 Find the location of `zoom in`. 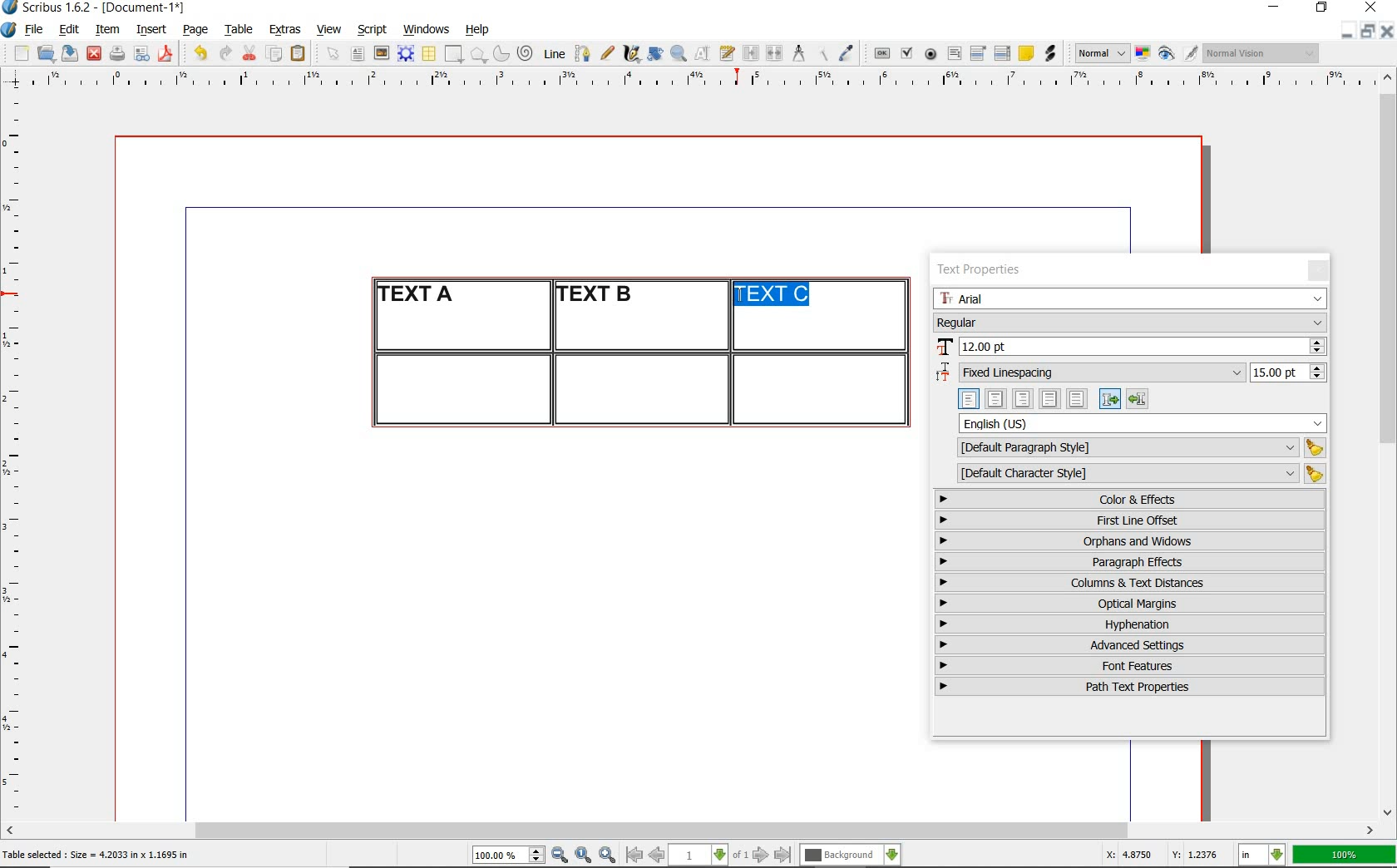

zoom in is located at coordinates (608, 856).